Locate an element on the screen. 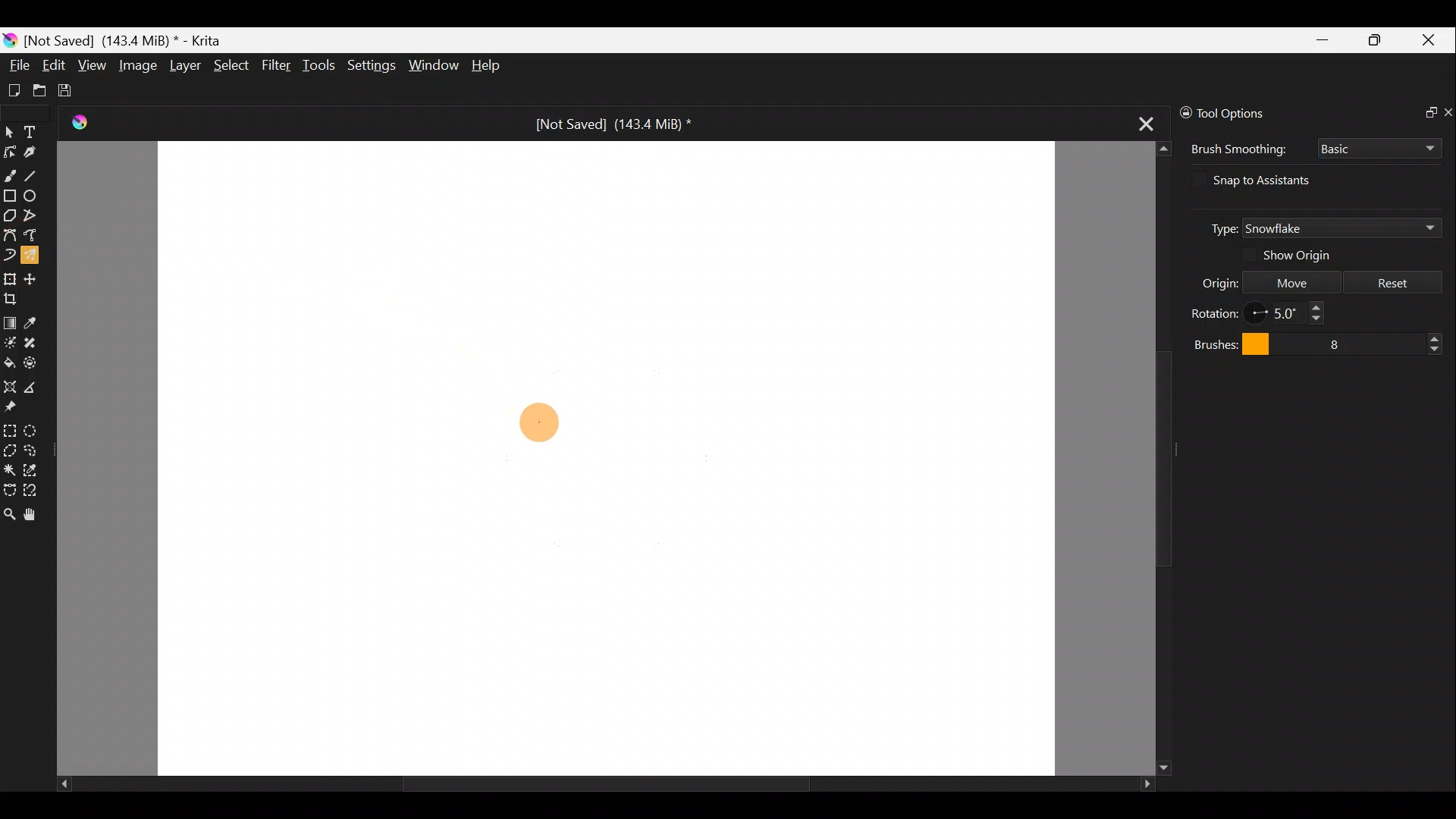  Logo is located at coordinates (86, 124).